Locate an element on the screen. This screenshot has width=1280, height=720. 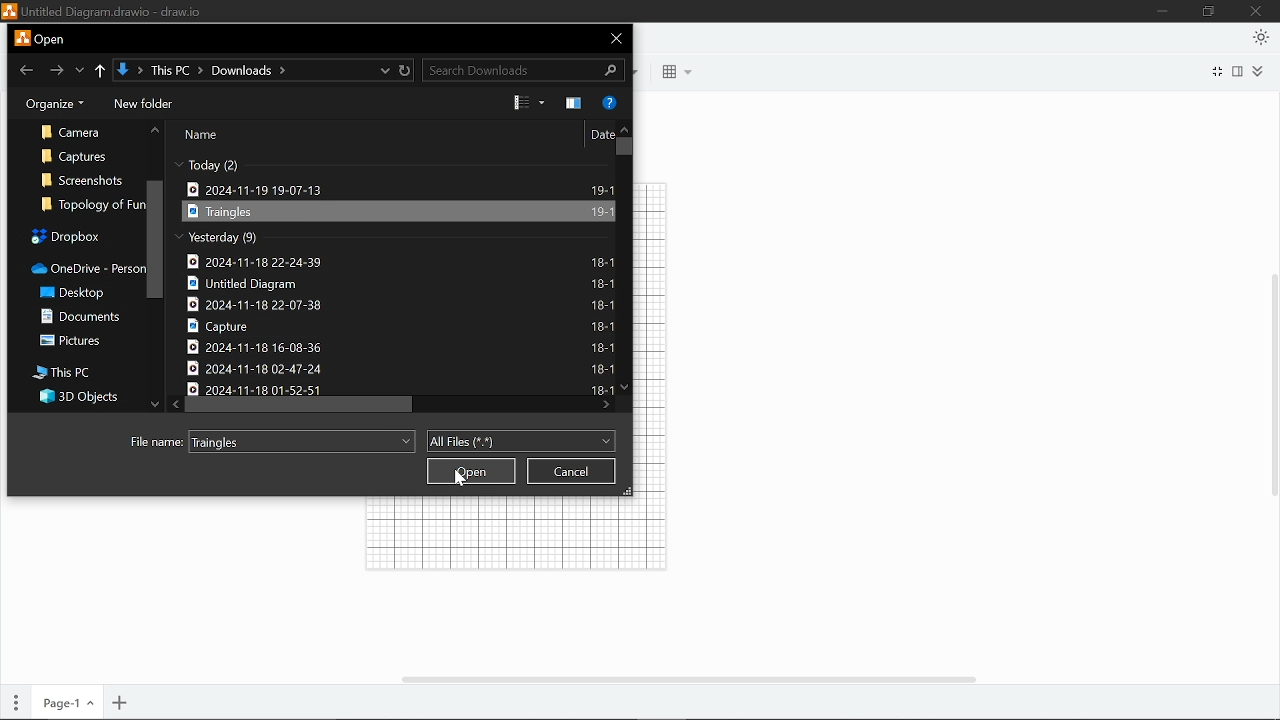
Camera is located at coordinates (75, 132).